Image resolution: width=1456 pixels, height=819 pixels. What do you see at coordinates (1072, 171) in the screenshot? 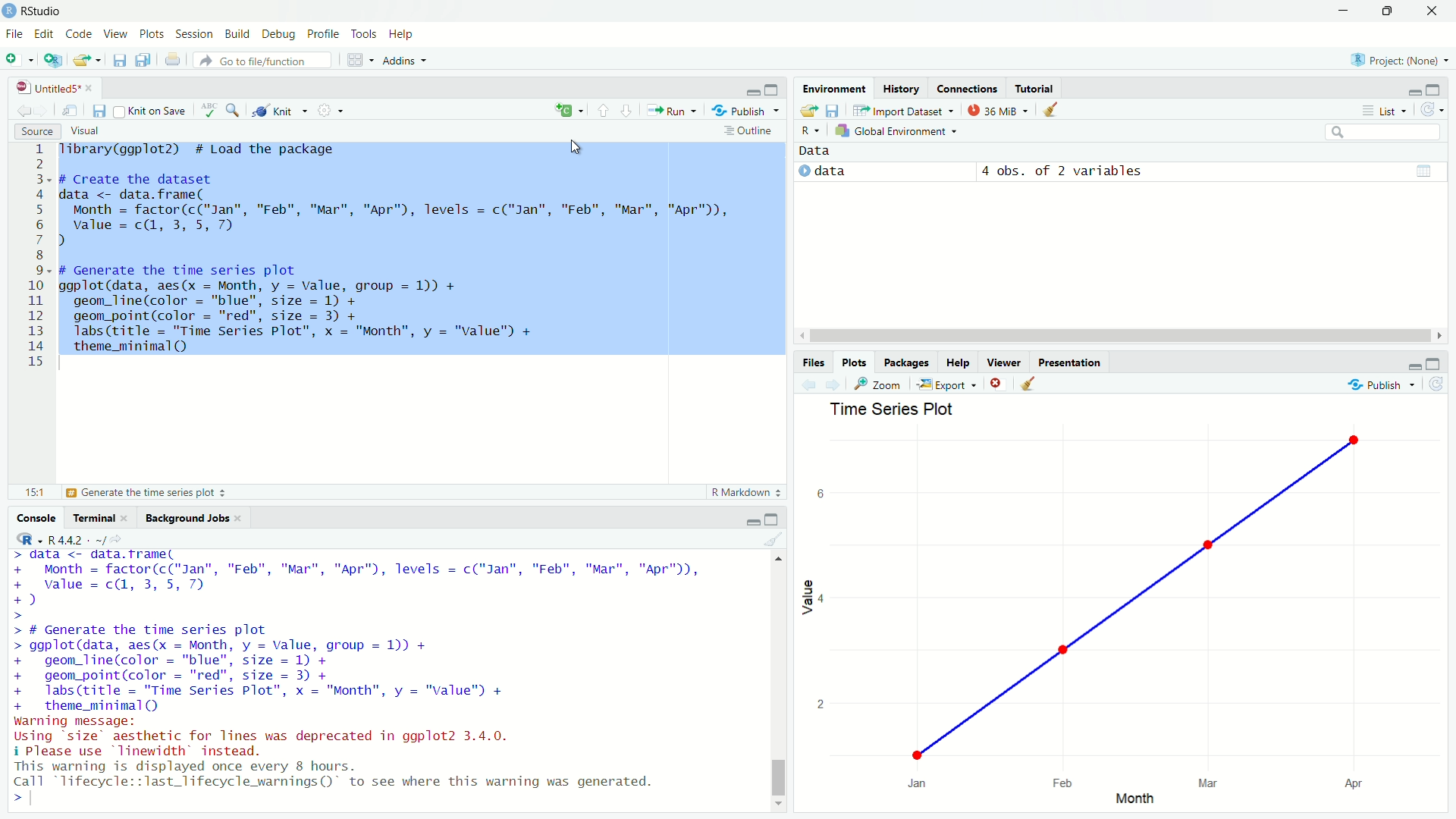
I see `3 obs. of 3 variables` at bounding box center [1072, 171].